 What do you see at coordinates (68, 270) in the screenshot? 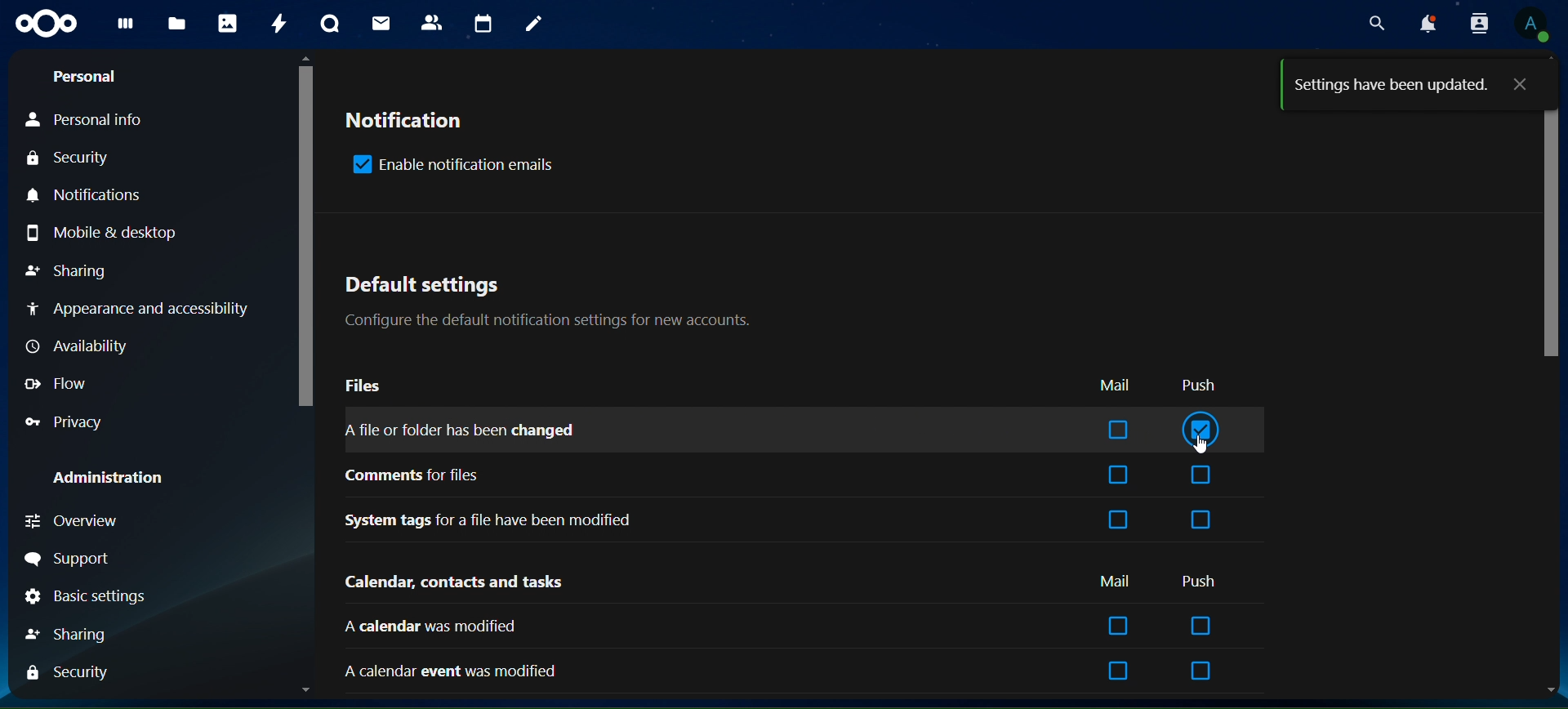
I see `sharing` at bounding box center [68, 270].